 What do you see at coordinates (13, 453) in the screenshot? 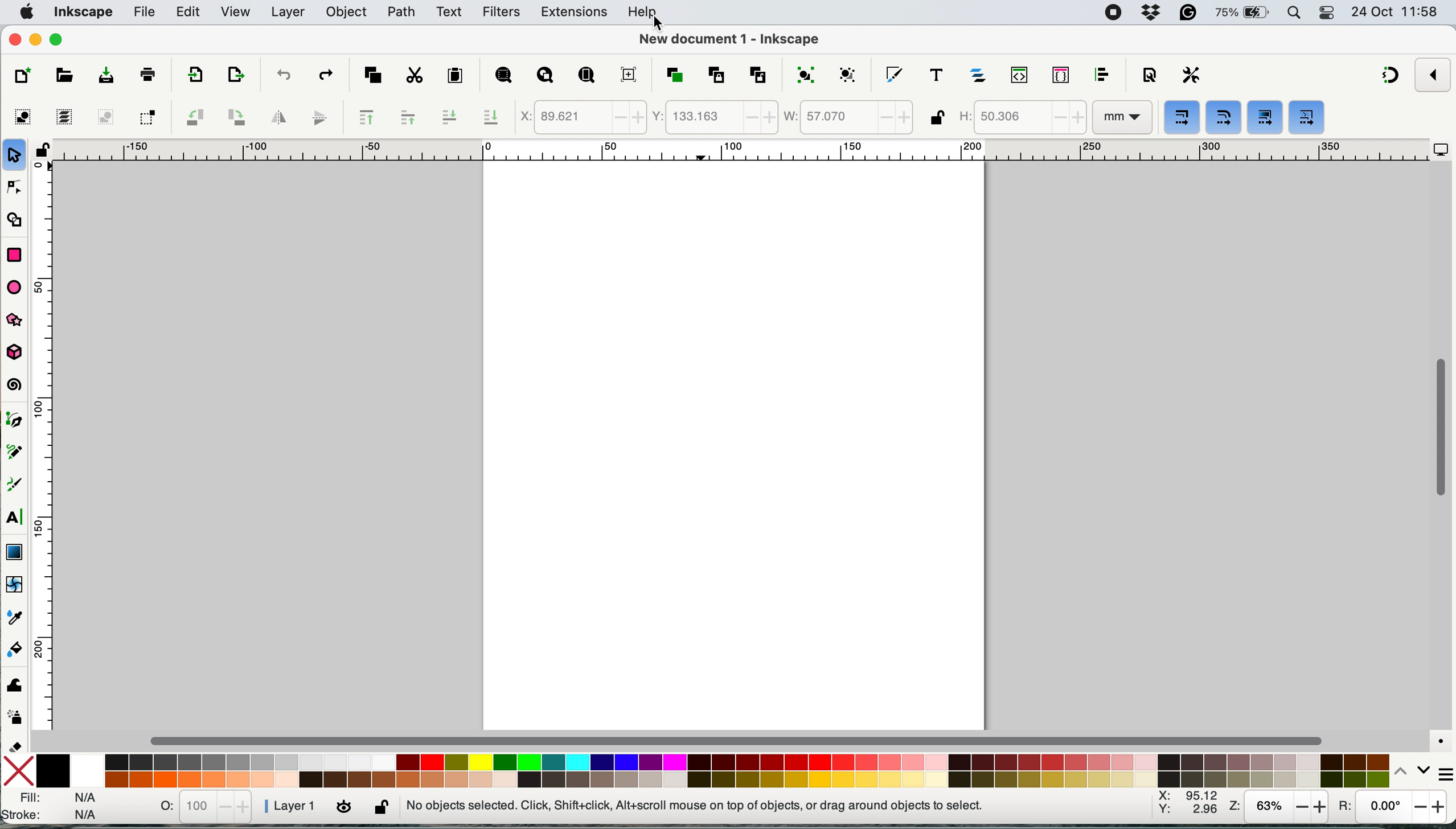
I see `pencil tool` at bounding box center [13, 453].